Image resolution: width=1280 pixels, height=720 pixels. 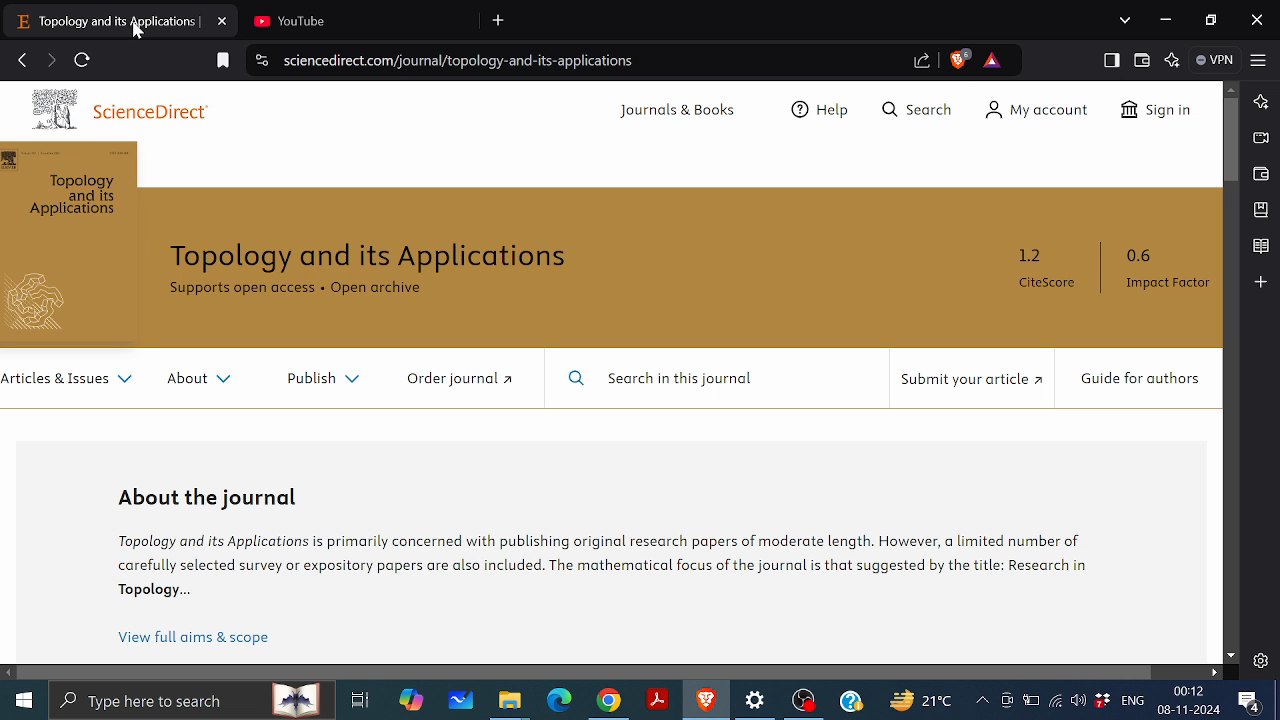 What do you see at coordinates (611, 372) in the screenshot?
I see `webpage` at bounding box center [611, 372].